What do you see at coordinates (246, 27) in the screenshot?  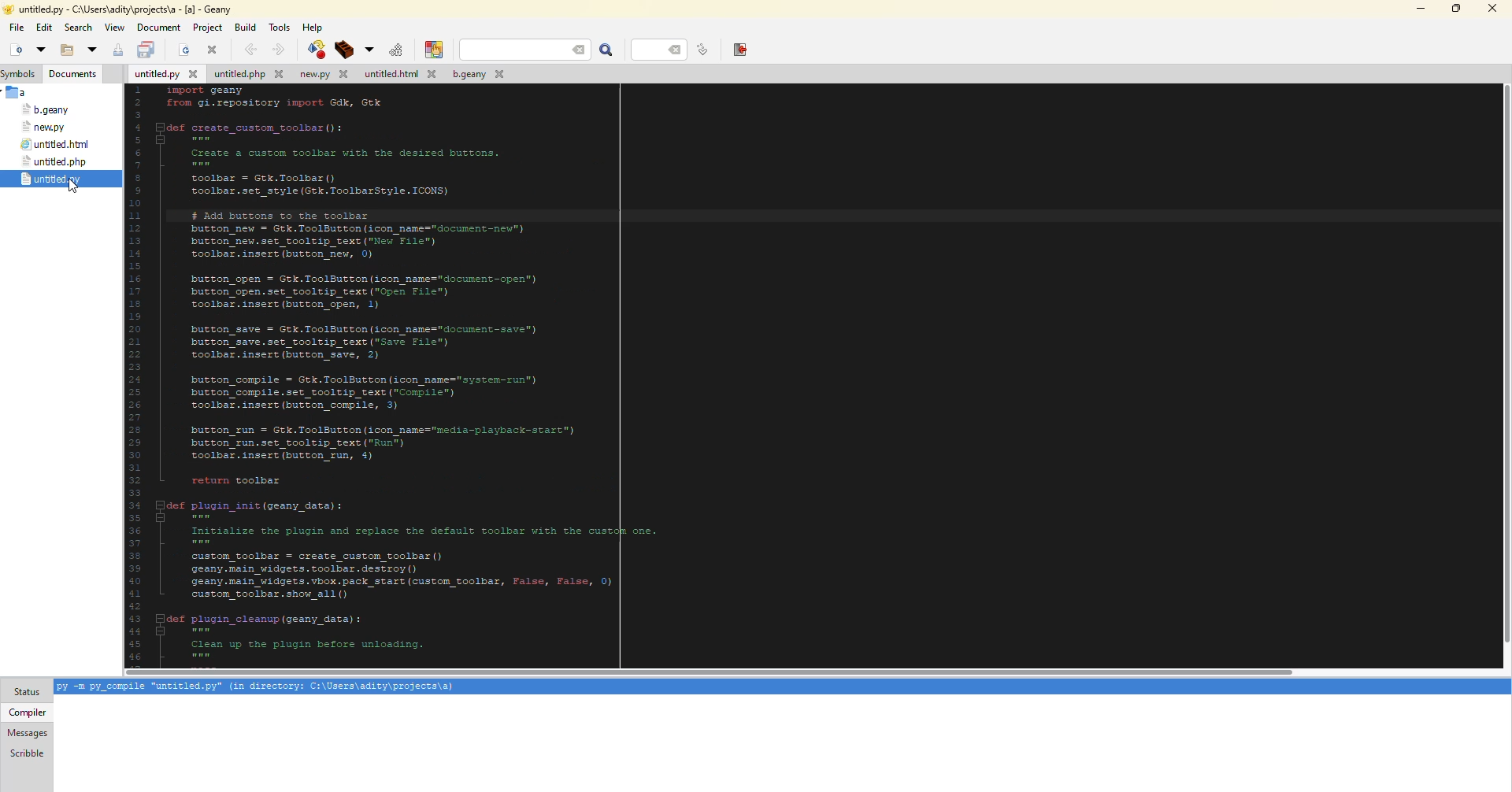 I see `build` at bounding box center [246, 27].